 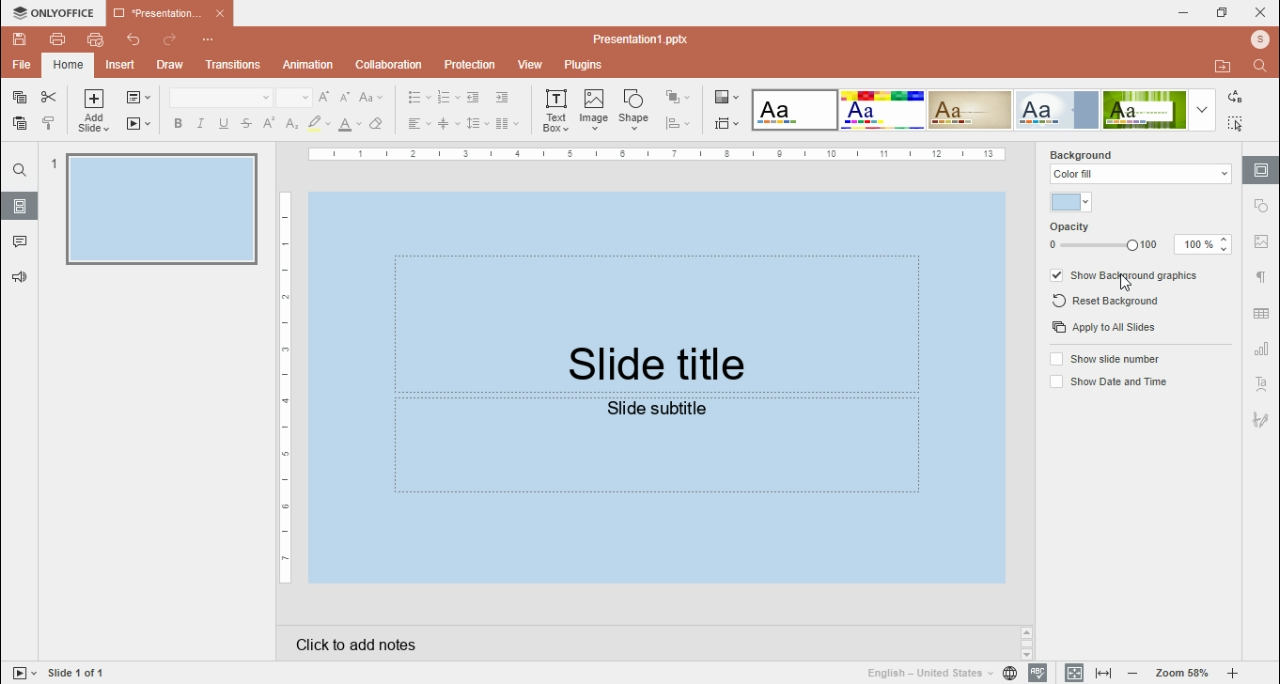 I want to click on plugins, so click(x=585, y=66).